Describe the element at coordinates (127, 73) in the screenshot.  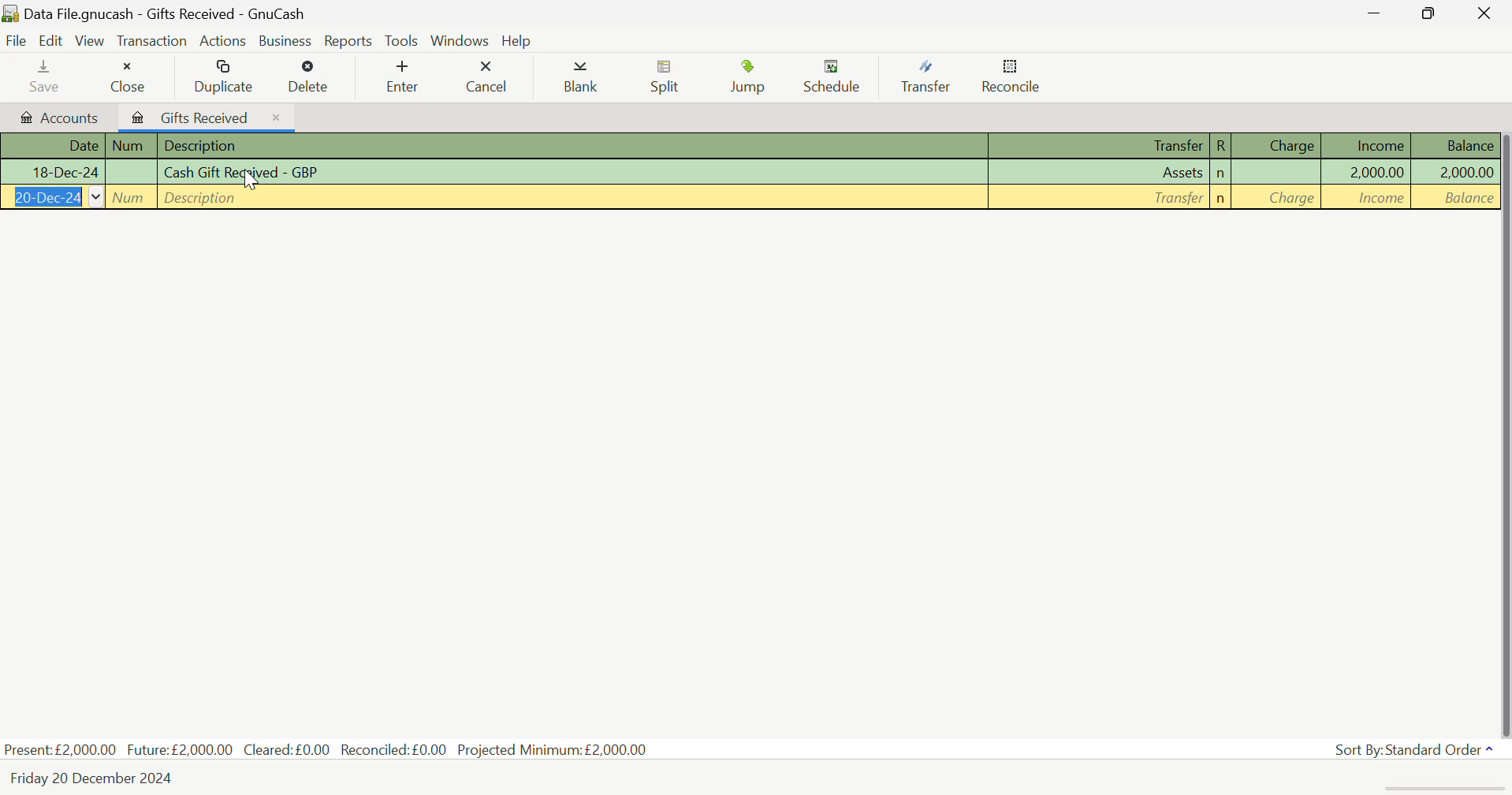
I see `Close` at that location.